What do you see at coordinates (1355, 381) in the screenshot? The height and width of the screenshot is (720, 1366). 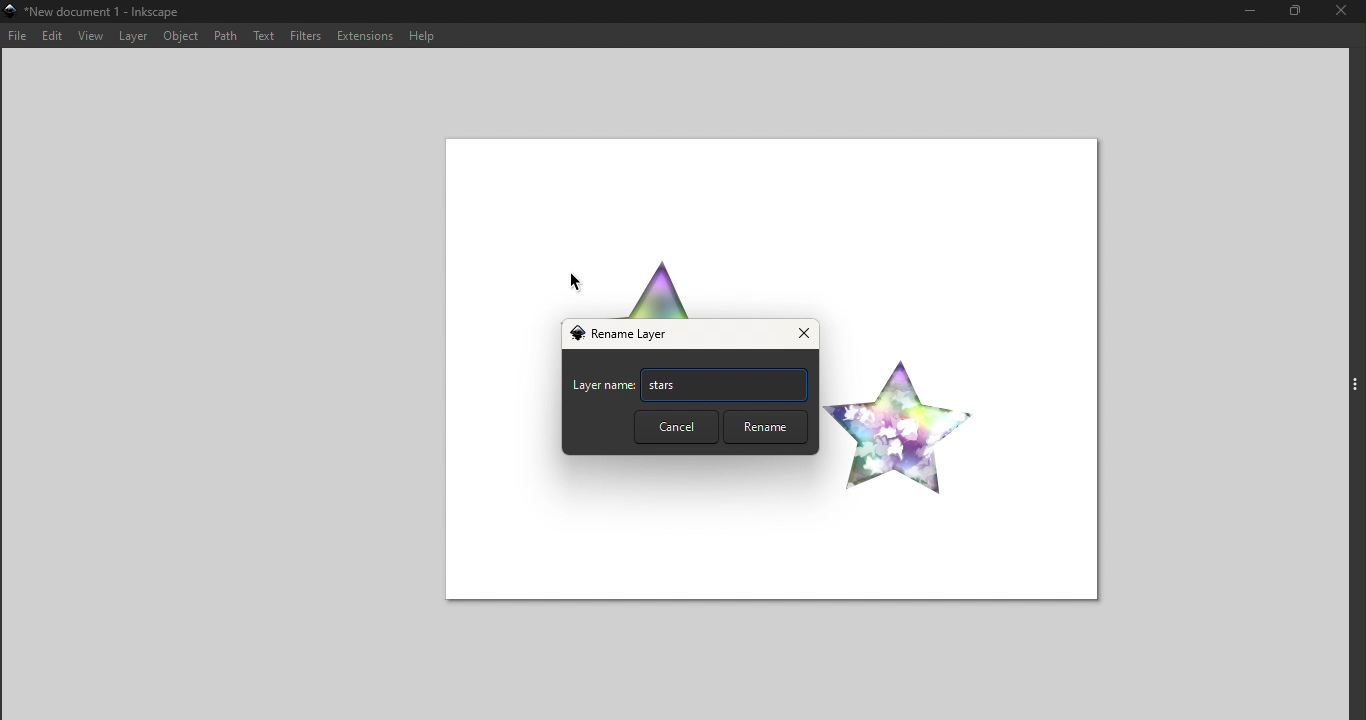 I see `Toggle command layer` at bounding box center [1355, 381].